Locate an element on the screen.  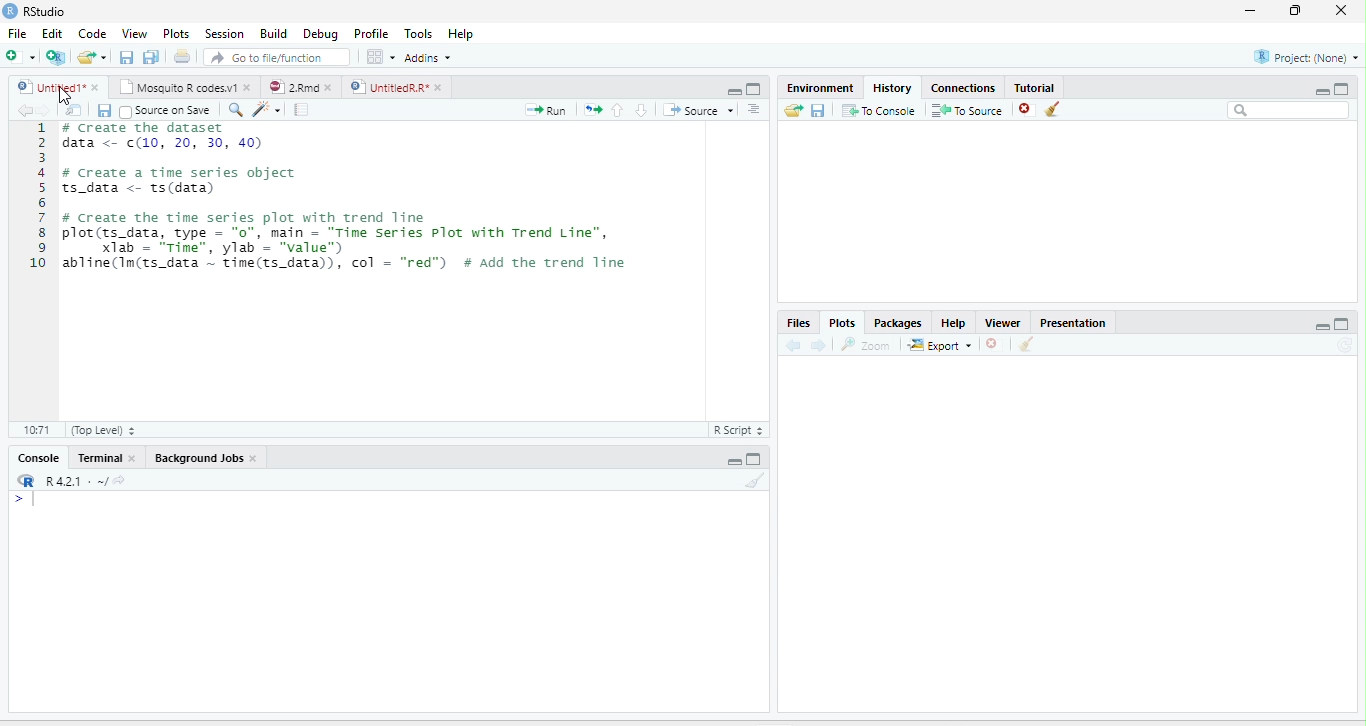
Show document outline is located at coordinates (754, 109).